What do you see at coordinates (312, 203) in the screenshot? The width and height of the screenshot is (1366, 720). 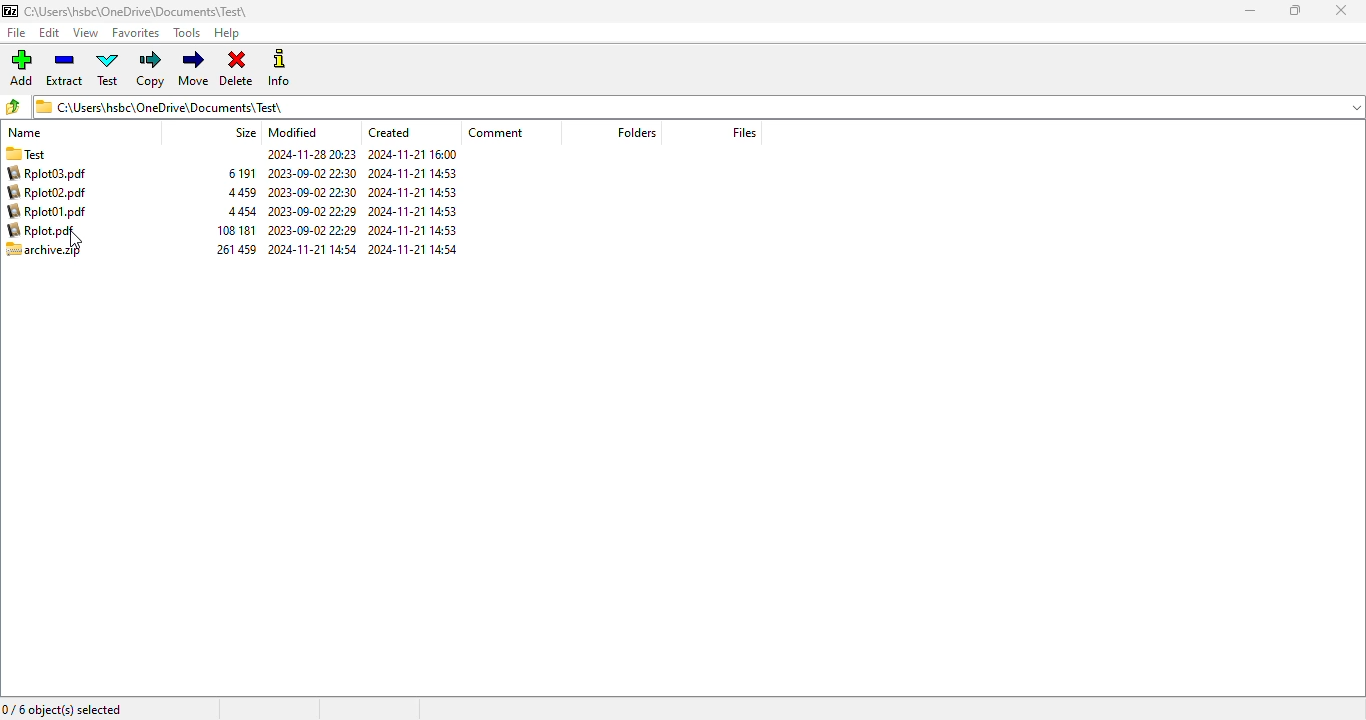 I see `modified date and time` at bounding box center [312, 203].